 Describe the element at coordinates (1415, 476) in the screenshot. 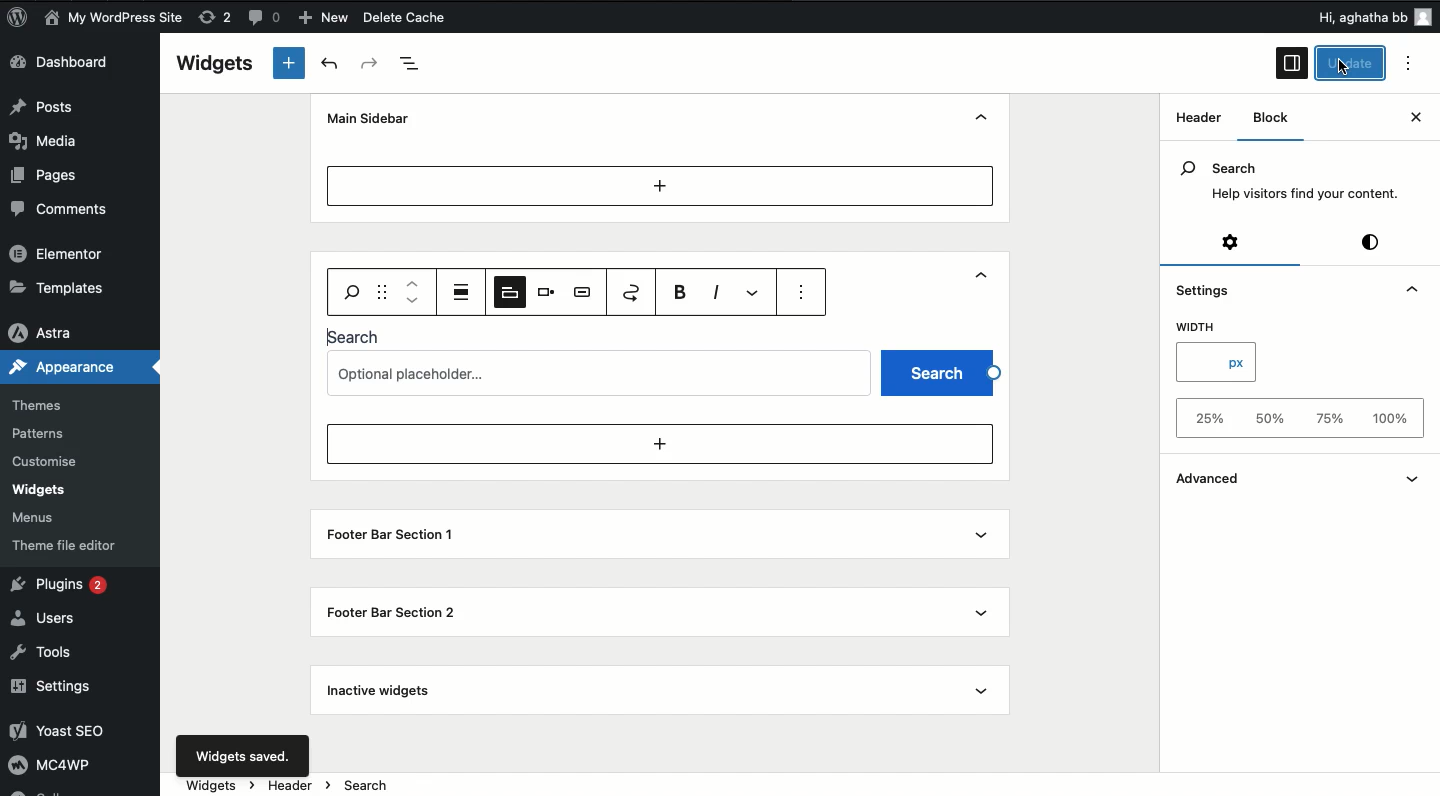

I see `show` at that location.